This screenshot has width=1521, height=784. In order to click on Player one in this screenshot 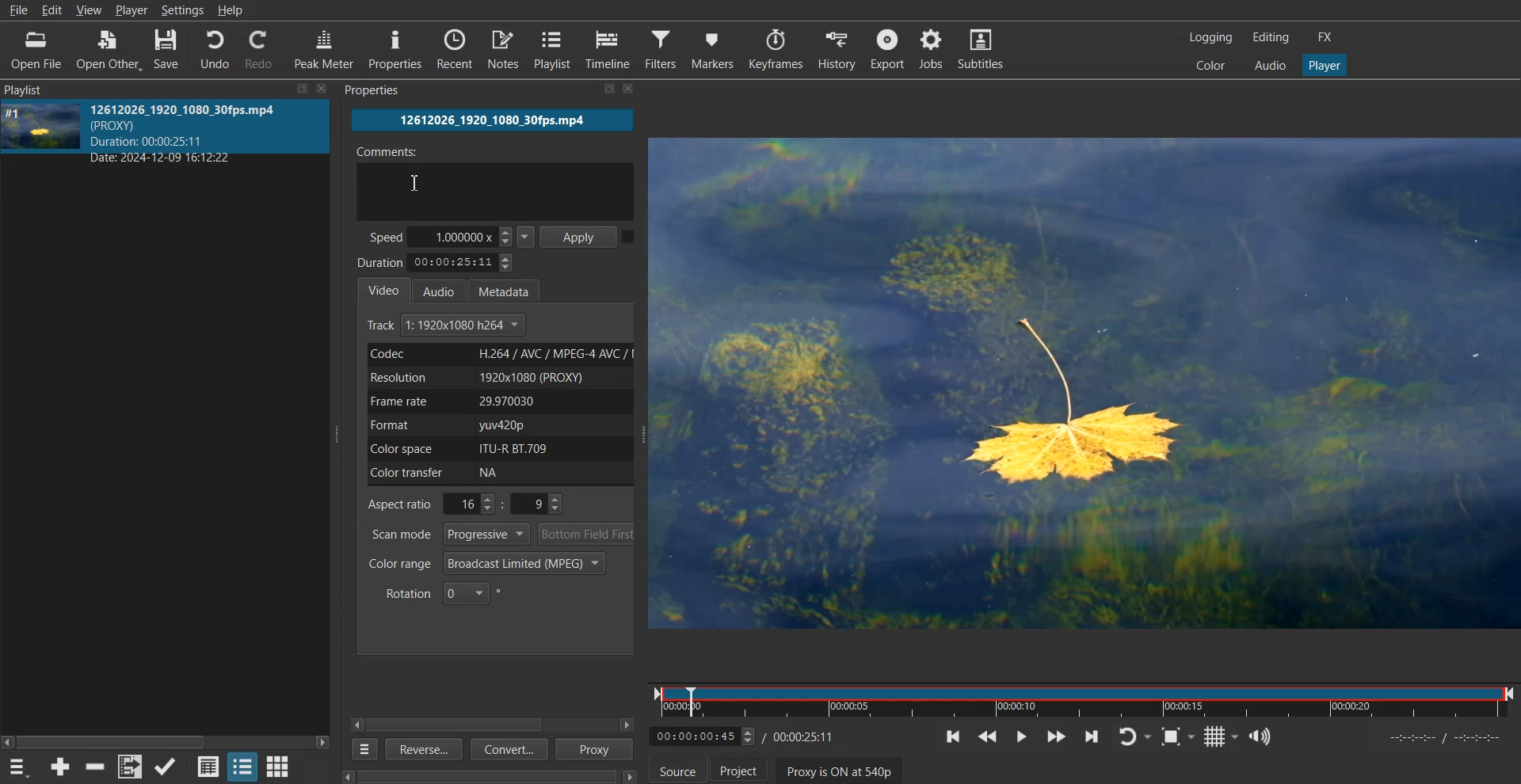, I will do `click(1323, 63)`.